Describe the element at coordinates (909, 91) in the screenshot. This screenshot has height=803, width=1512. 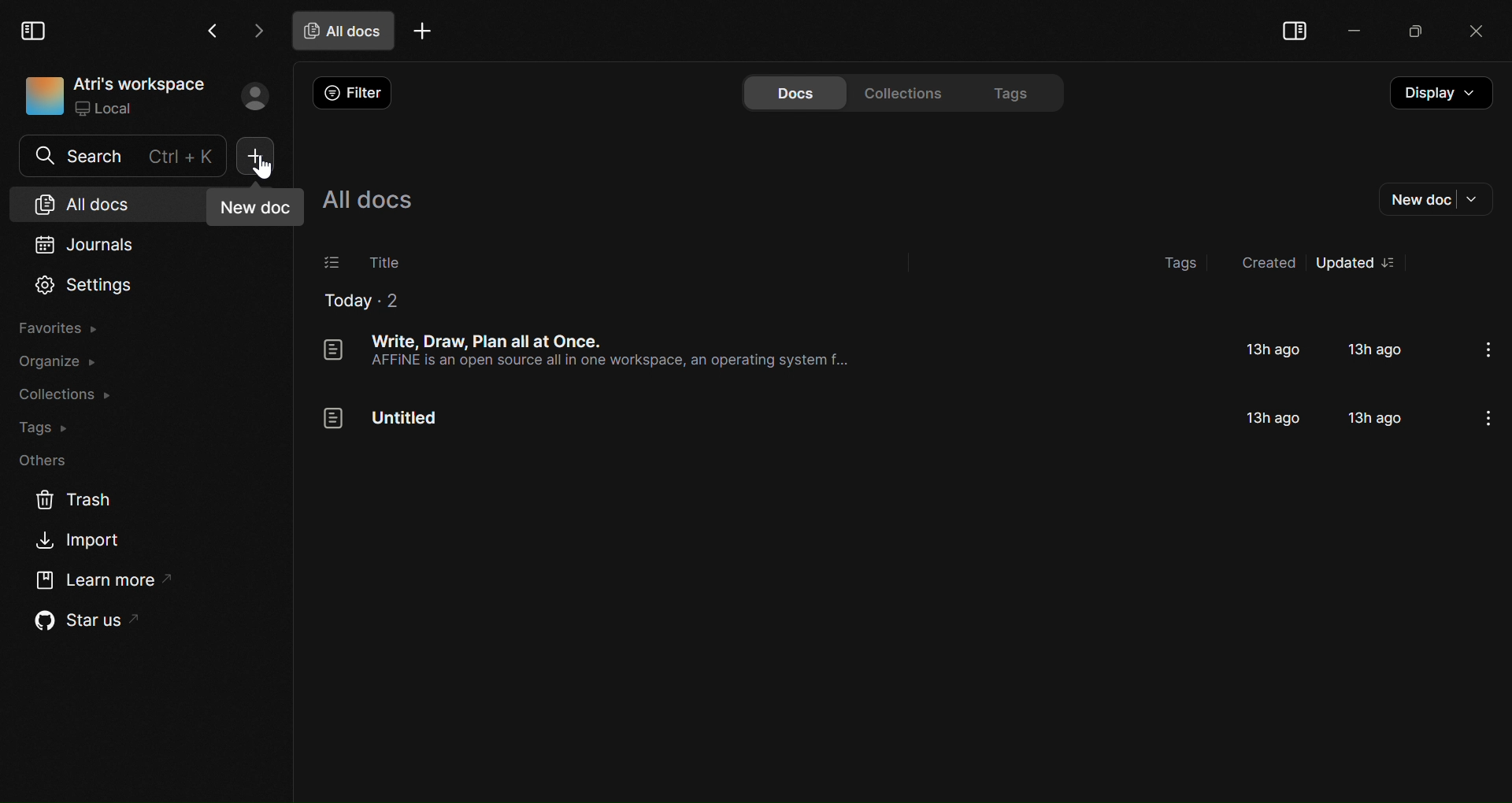
I see `Collections` at that location.